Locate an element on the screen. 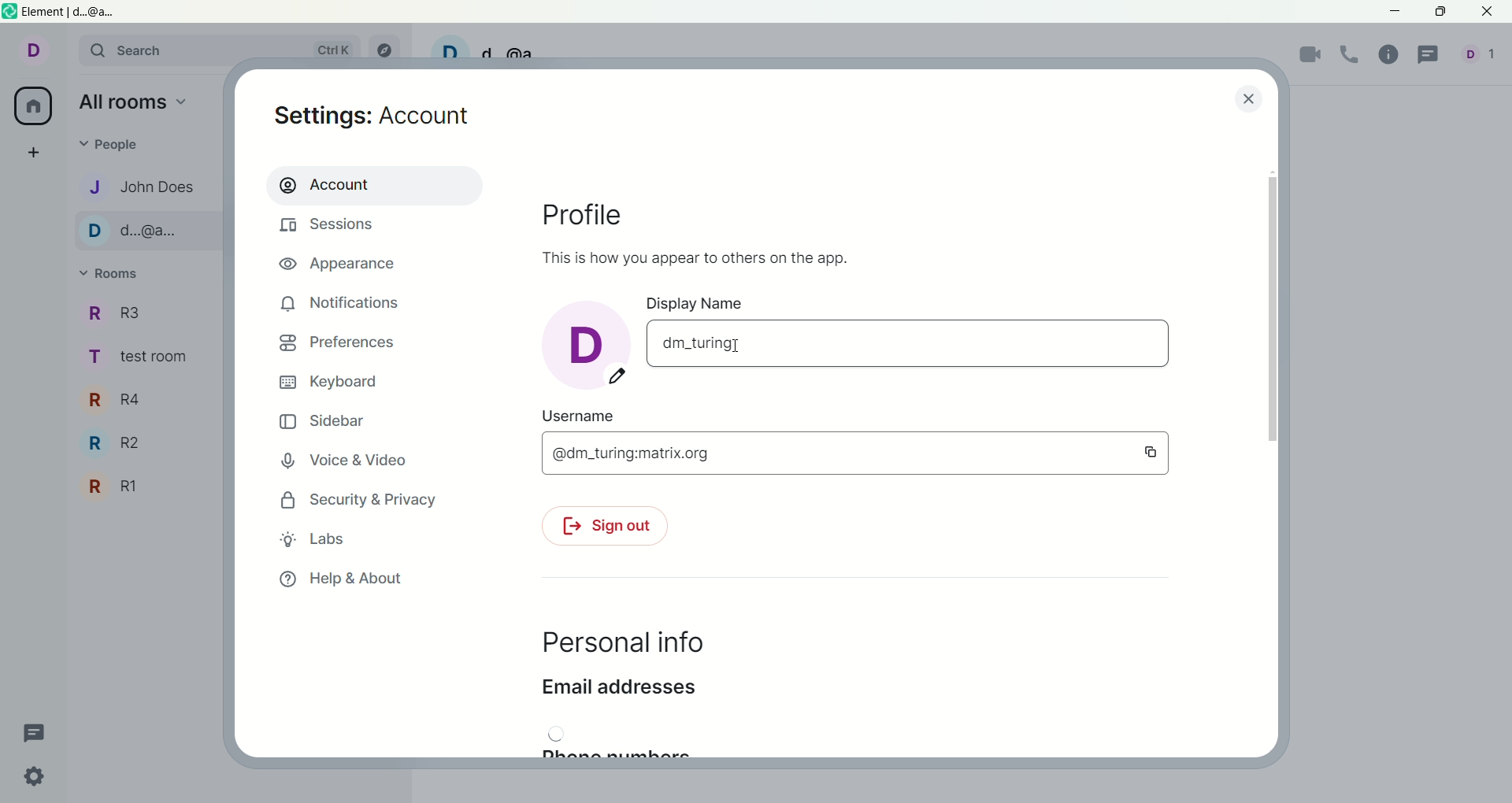 This screenshot has height=803, width=1512. people is located at coordinates (1482, 58).